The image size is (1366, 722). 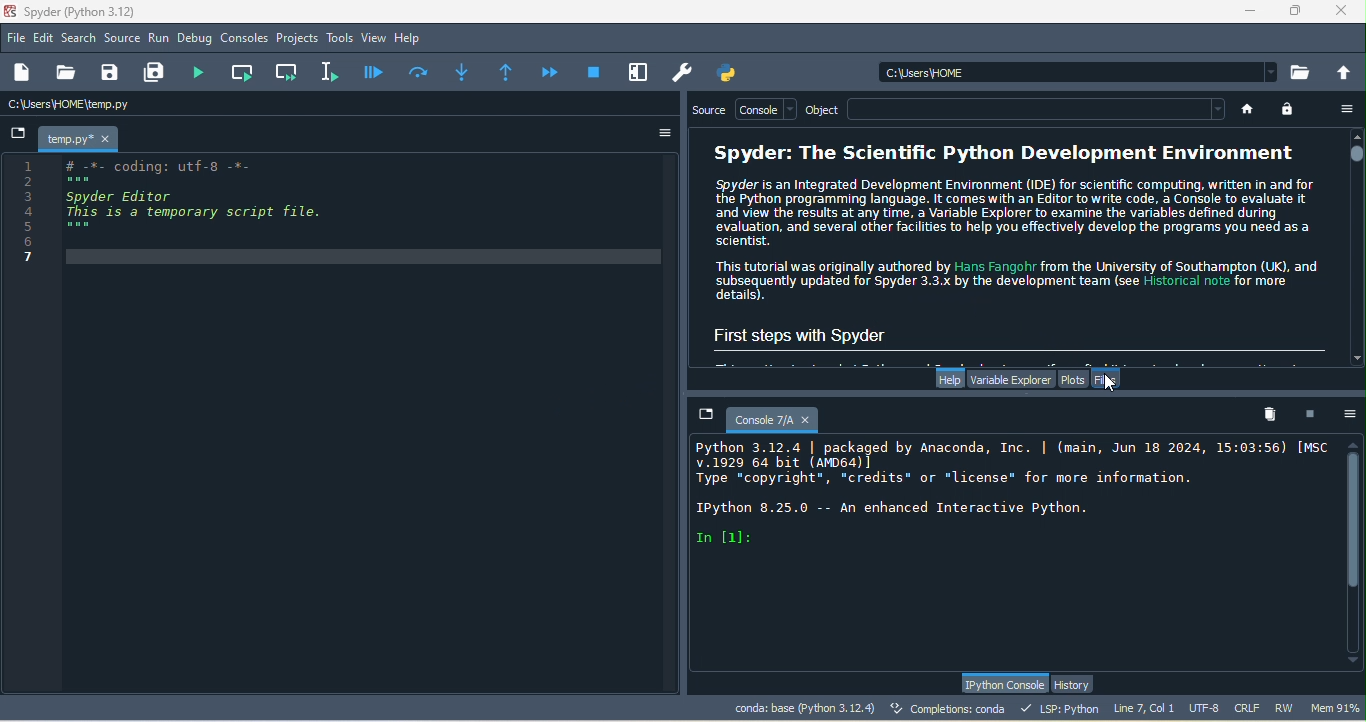 What do you see at coordinates (1246, 109) in the screenshot?
I see `home` at bounding box center [1246, 109].